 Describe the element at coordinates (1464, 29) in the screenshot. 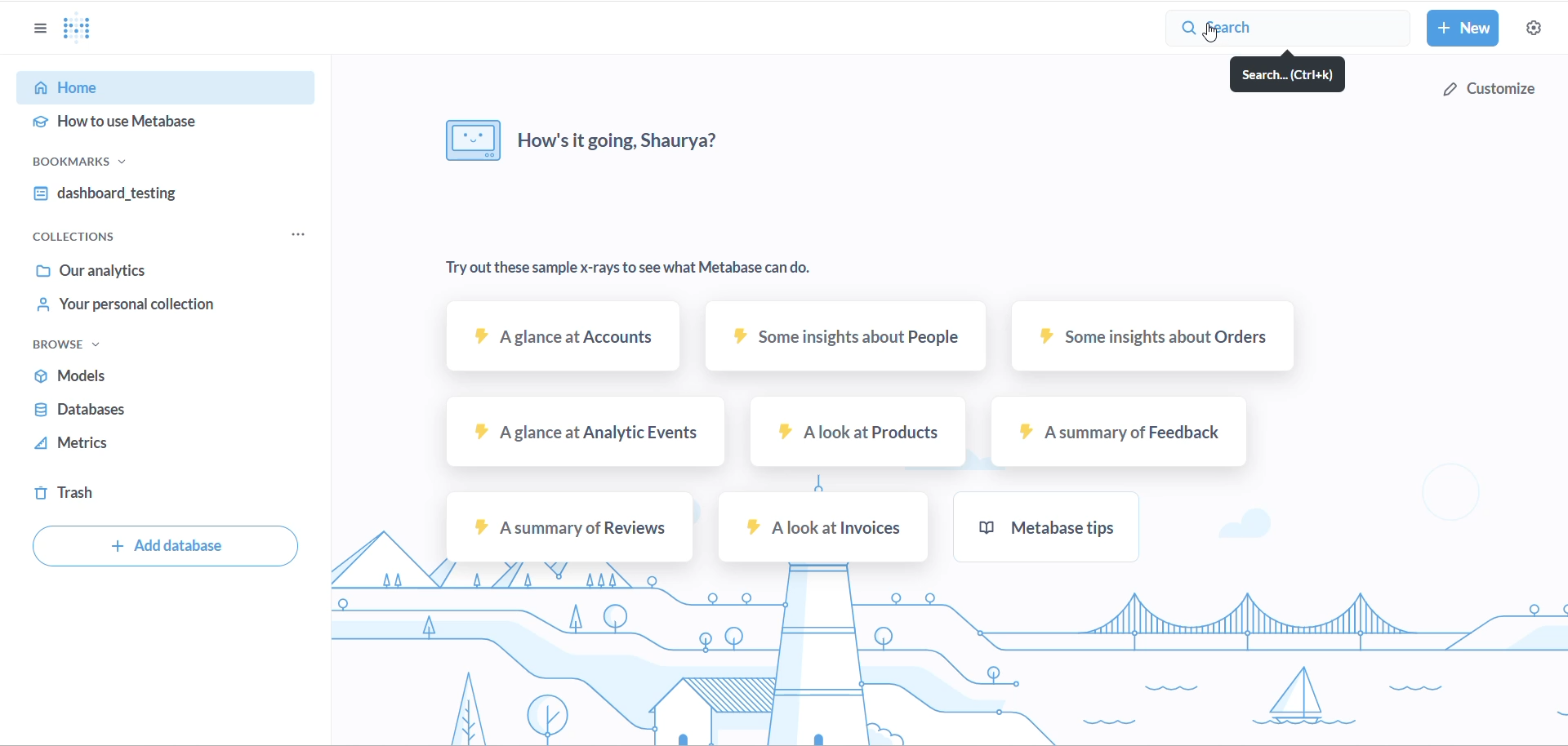

I see `new` at that location.